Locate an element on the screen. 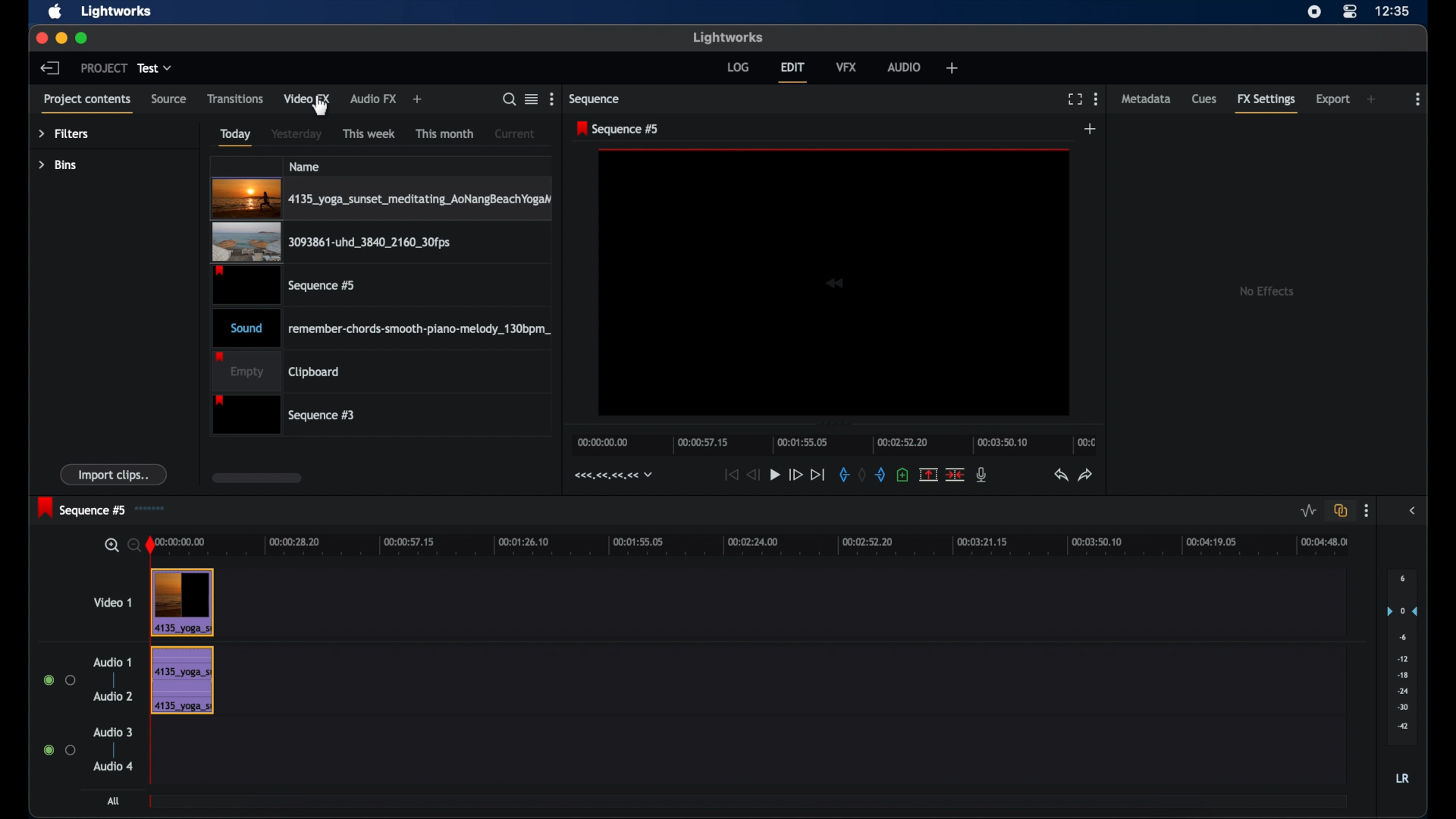 This screenshot has height=819, width=1456. project is located at coordinates (102, 68).